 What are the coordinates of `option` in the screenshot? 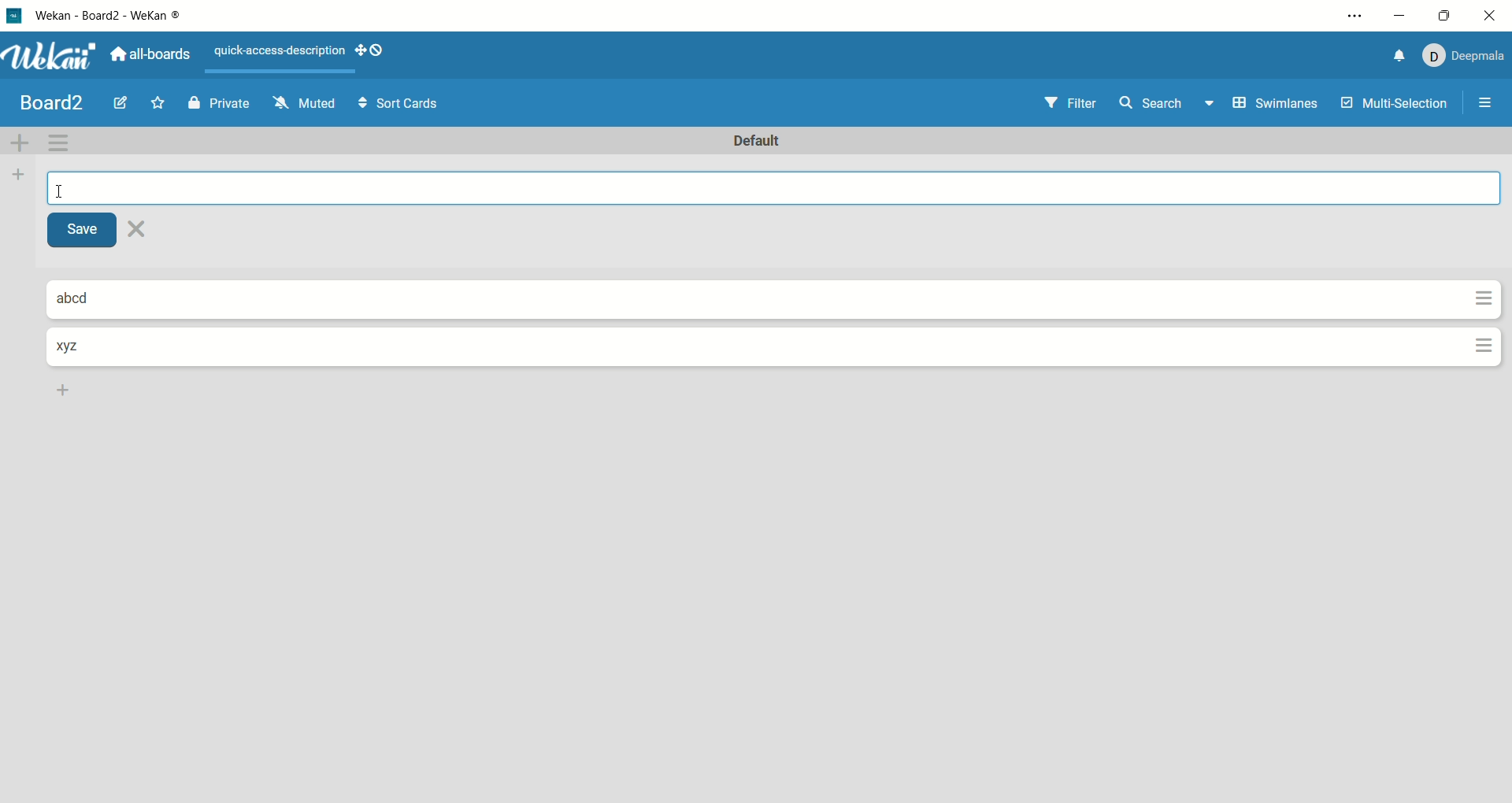 It's located at (1488, 102).